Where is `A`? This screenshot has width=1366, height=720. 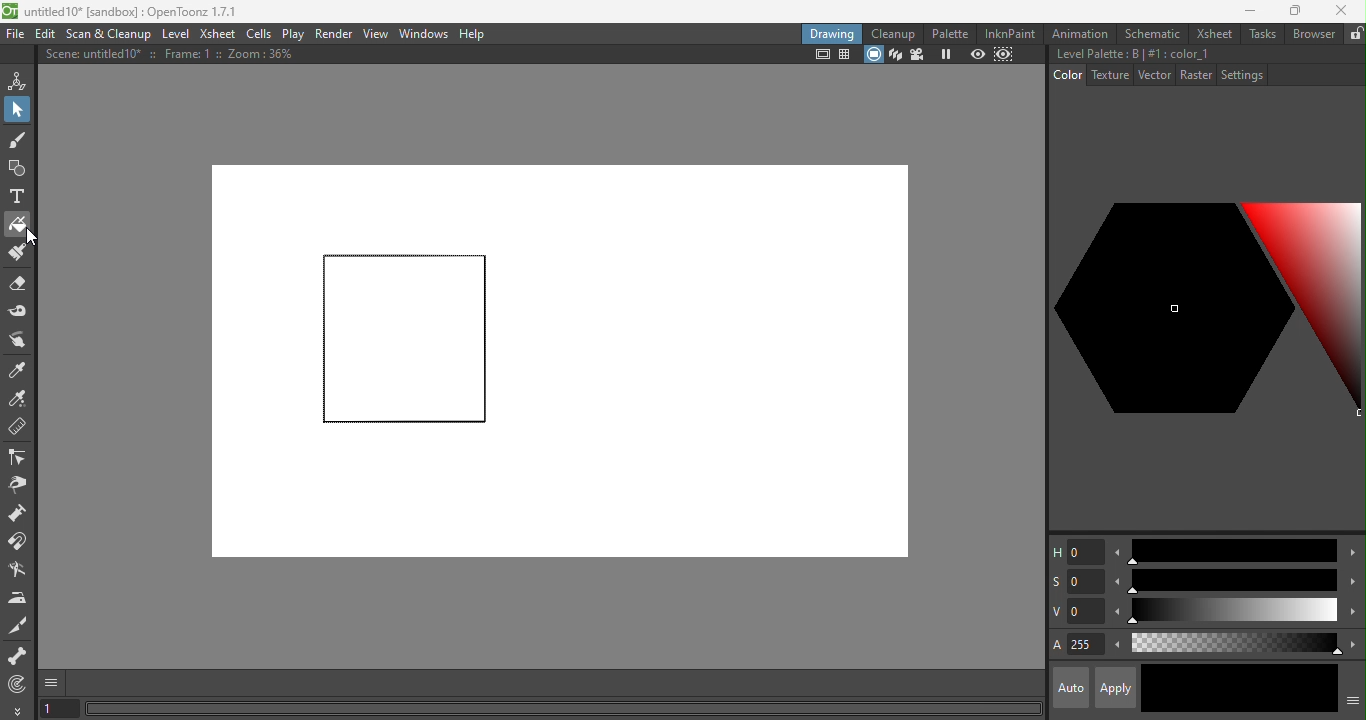 A is located at coordinates (1077, 646).